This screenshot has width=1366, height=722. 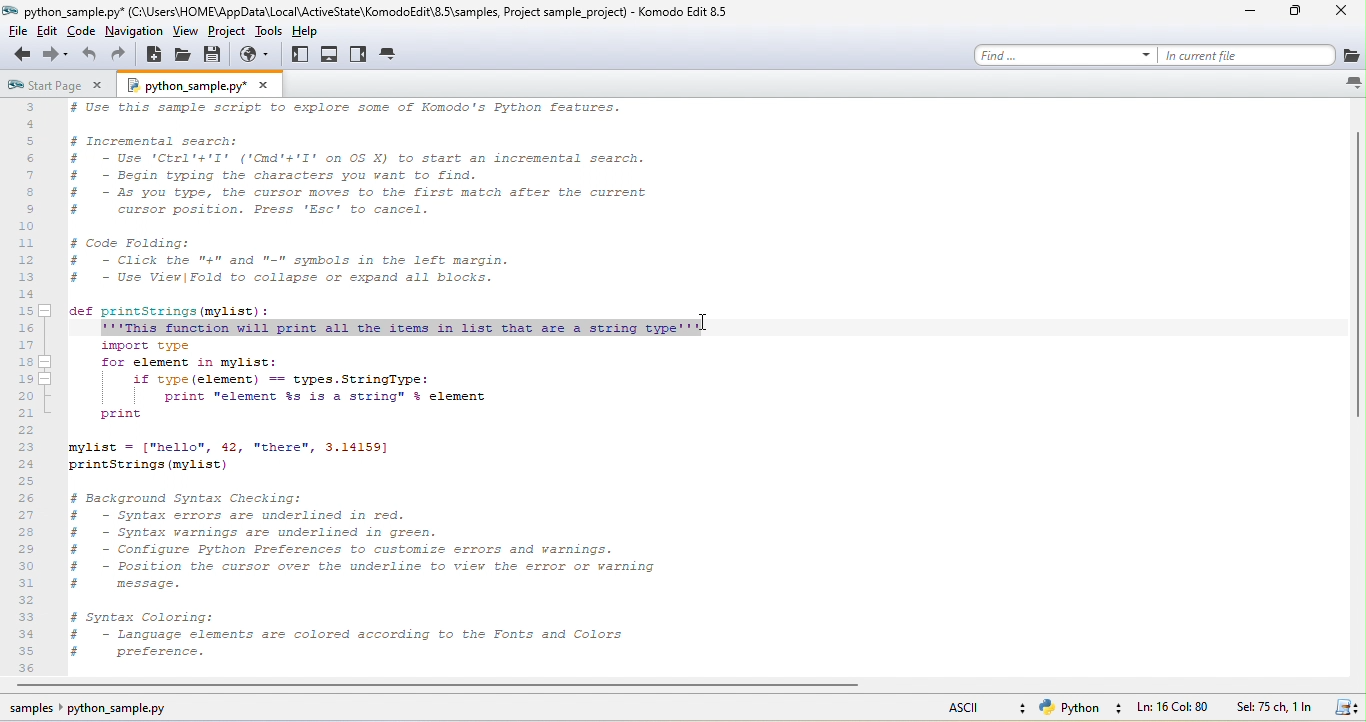 I want to click on code, so click(x=83, y=34).